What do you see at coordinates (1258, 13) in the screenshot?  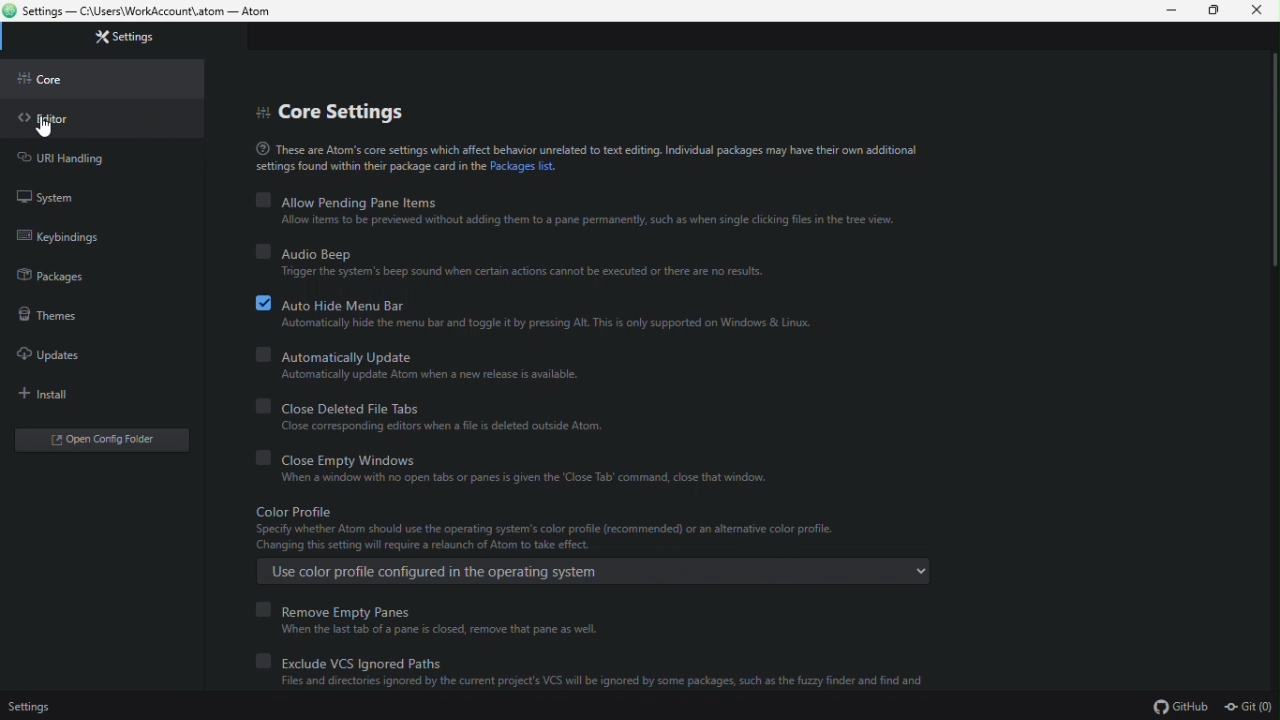 I see `close` at bounding box center [1258, 13].